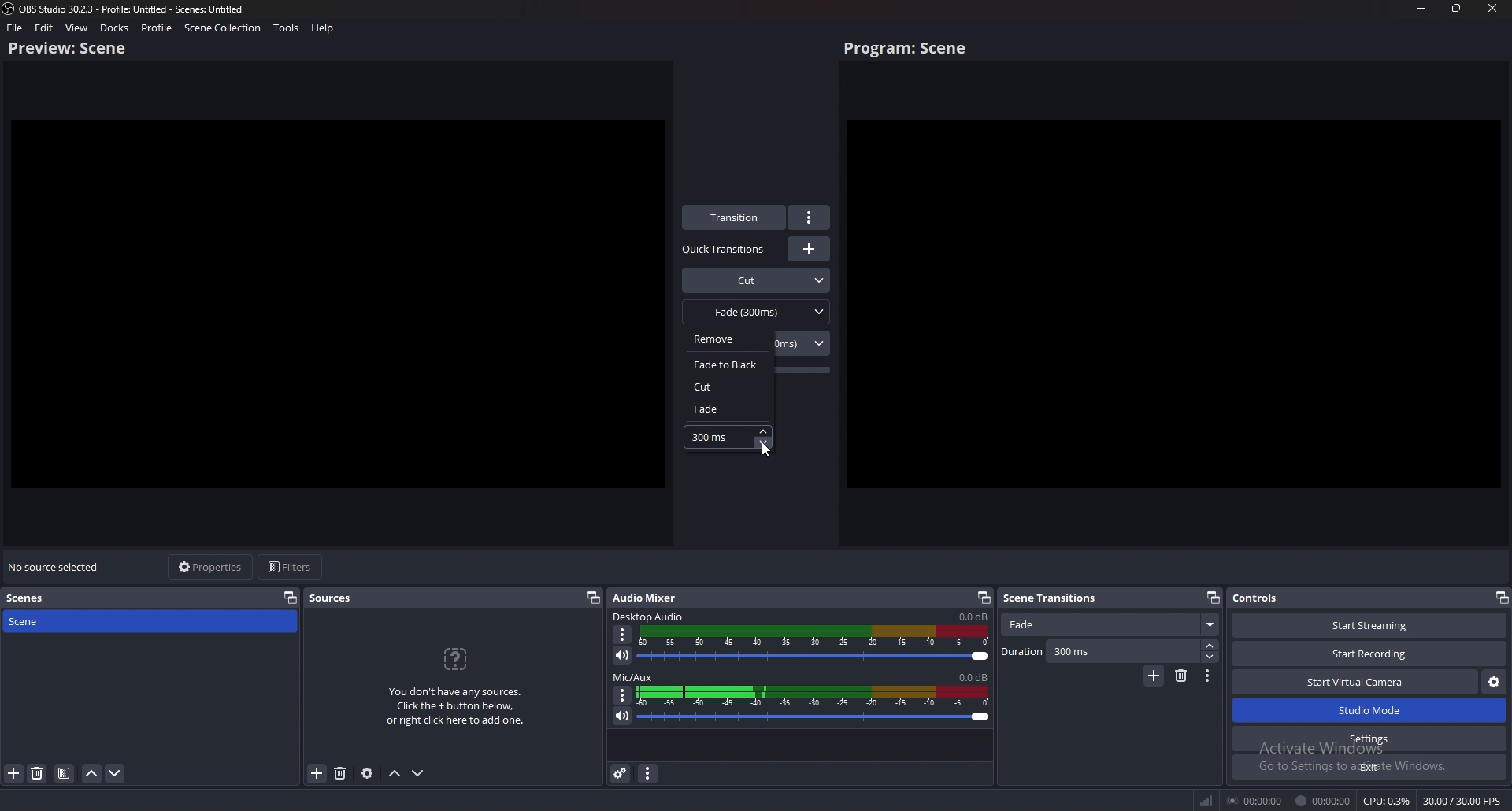  Describe the element at coordinates (736, 217) in the screenshot. I see `transition` at that location.